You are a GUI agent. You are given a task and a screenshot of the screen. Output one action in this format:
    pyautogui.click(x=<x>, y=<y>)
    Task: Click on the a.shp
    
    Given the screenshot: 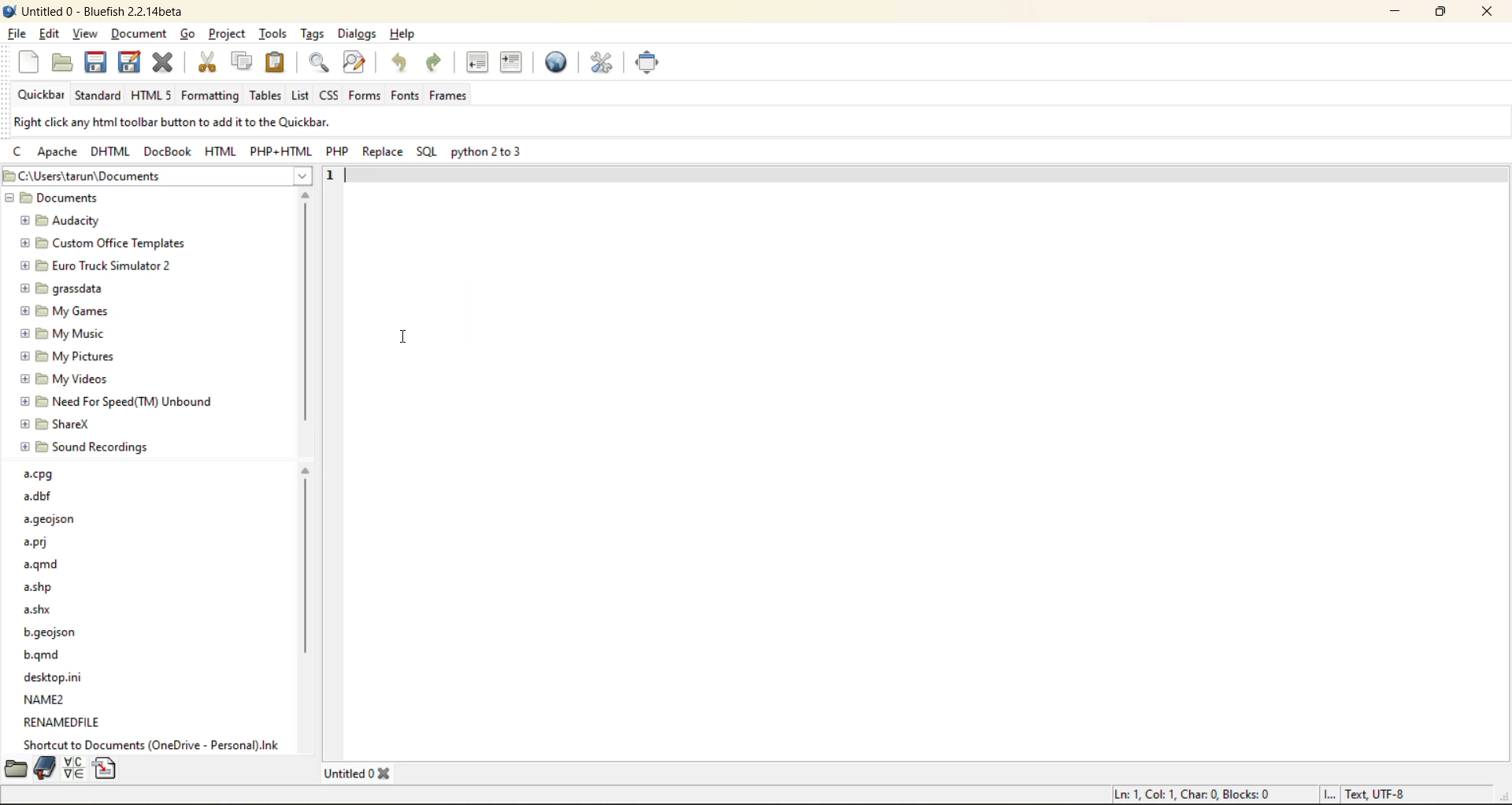 What is the action you would take?
    pyautogui.click(x=41, y=587)
    